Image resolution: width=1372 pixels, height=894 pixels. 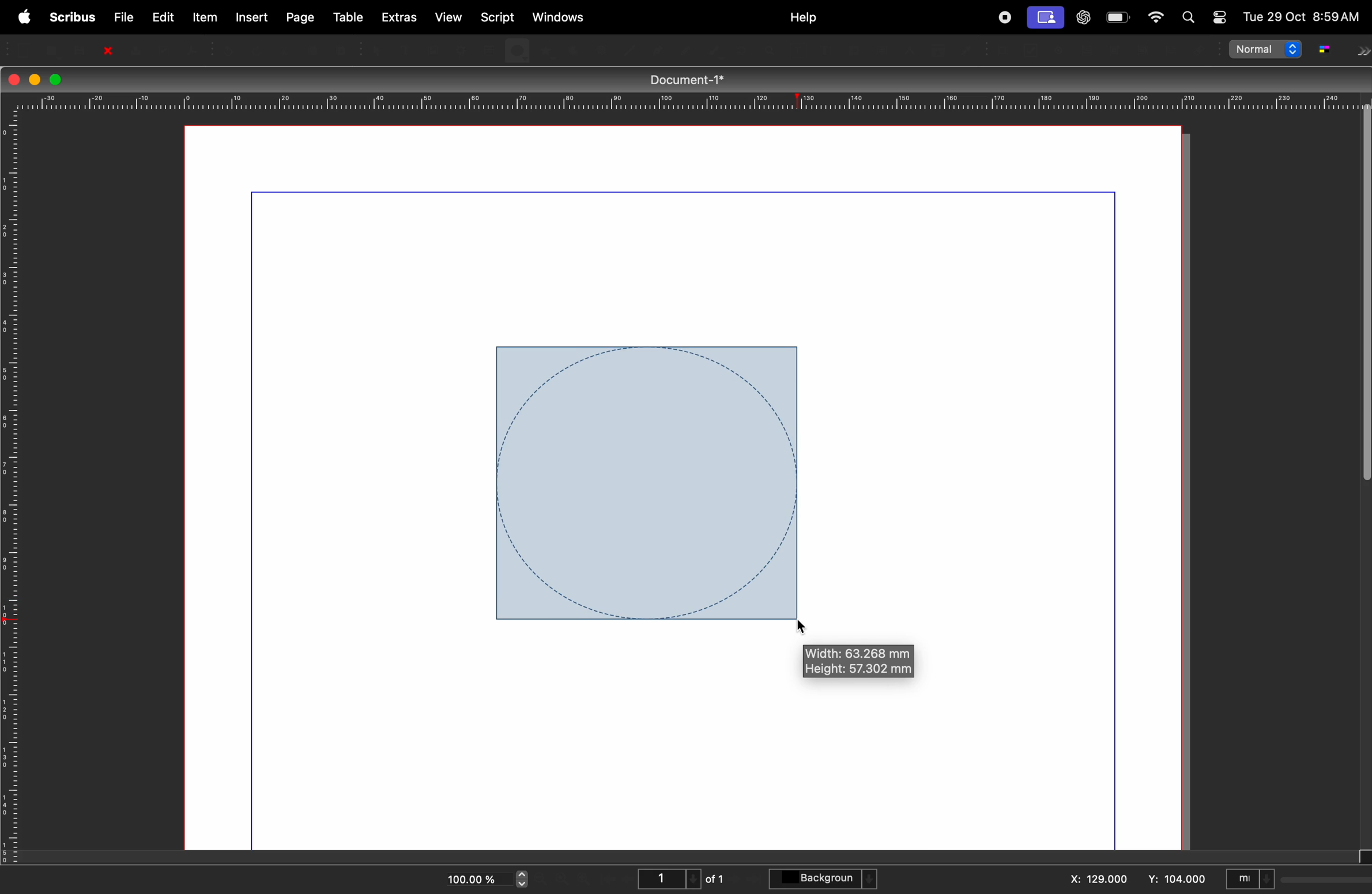 What do you see at coordinates (376, 48) in the screenshot?
I see `select item` at bounding box center [376, 48].